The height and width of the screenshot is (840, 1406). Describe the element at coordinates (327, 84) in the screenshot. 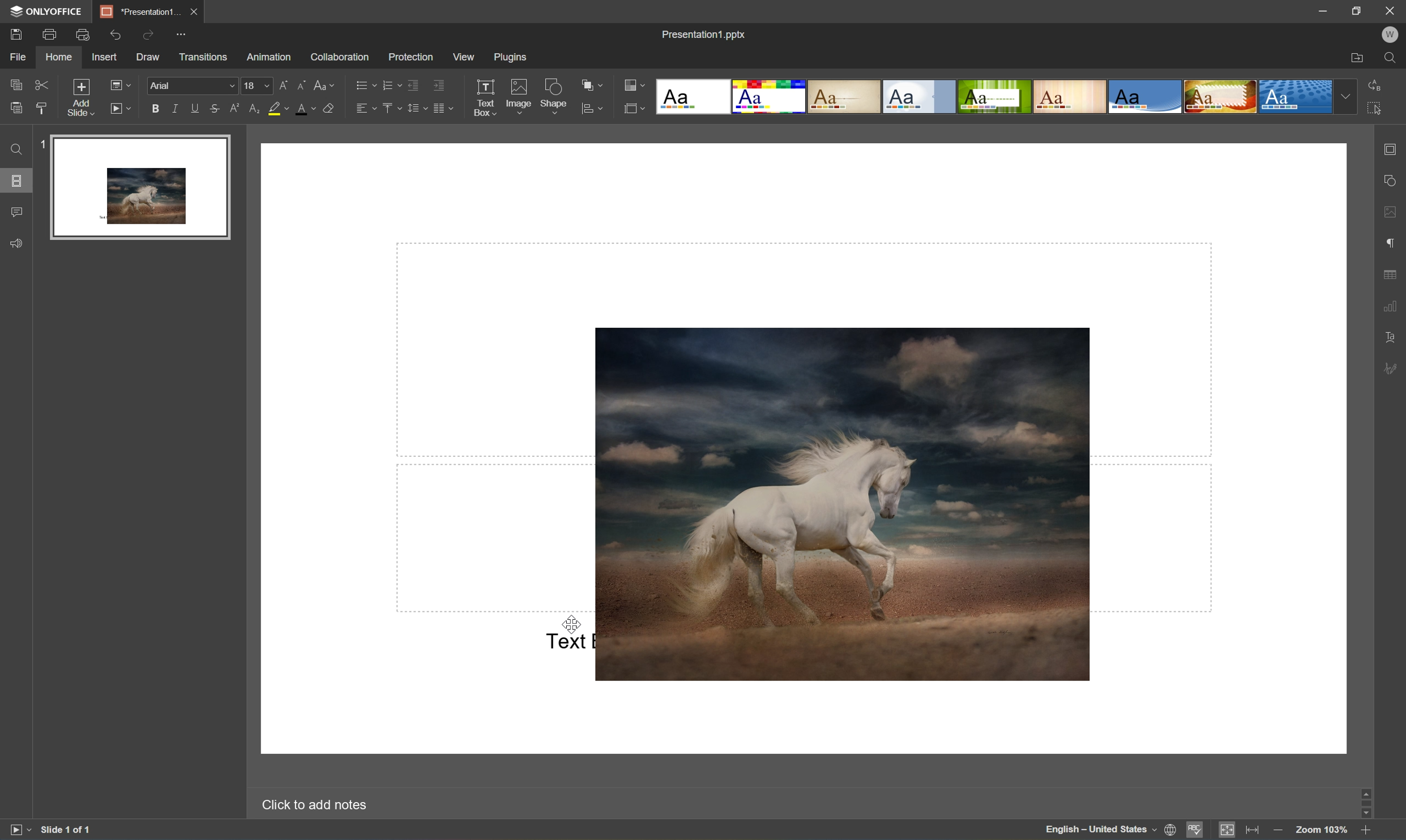

I see `Change case` at that location.